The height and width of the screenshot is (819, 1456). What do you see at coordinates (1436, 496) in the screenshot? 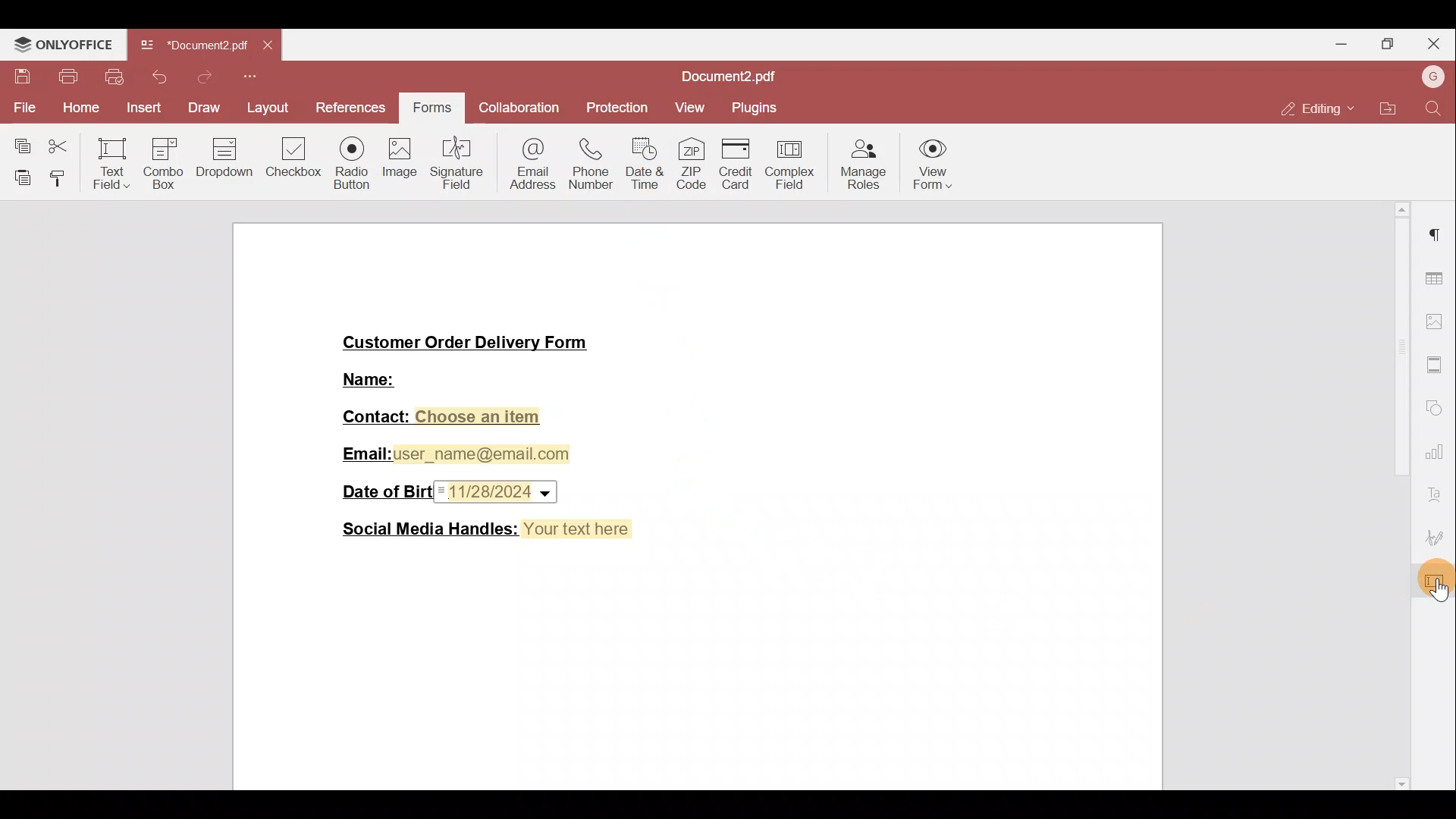
I see `Font settings` at bounding box center [1436, 496].